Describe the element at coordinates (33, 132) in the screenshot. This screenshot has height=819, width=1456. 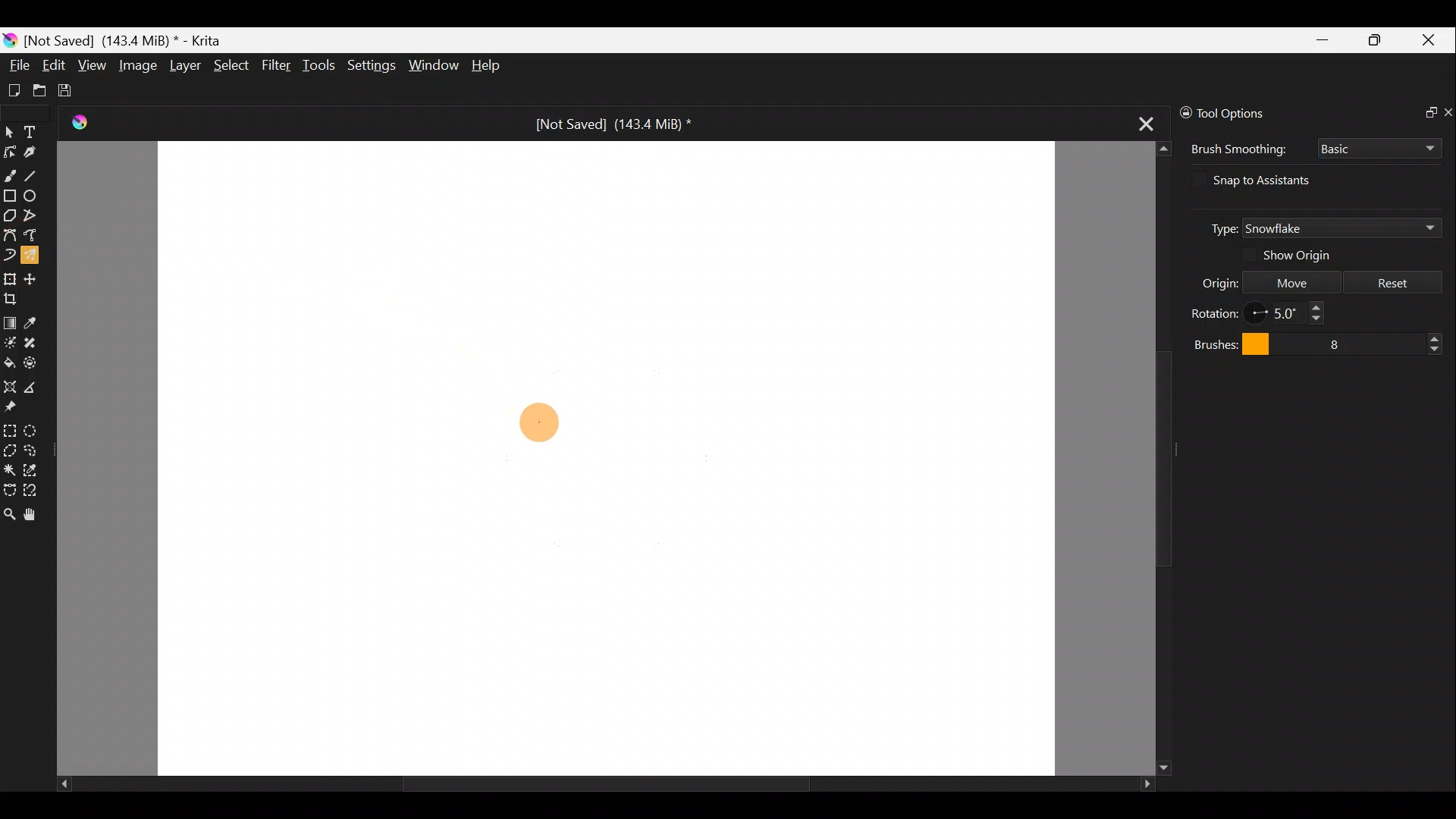
I see `Text tool` at that location.